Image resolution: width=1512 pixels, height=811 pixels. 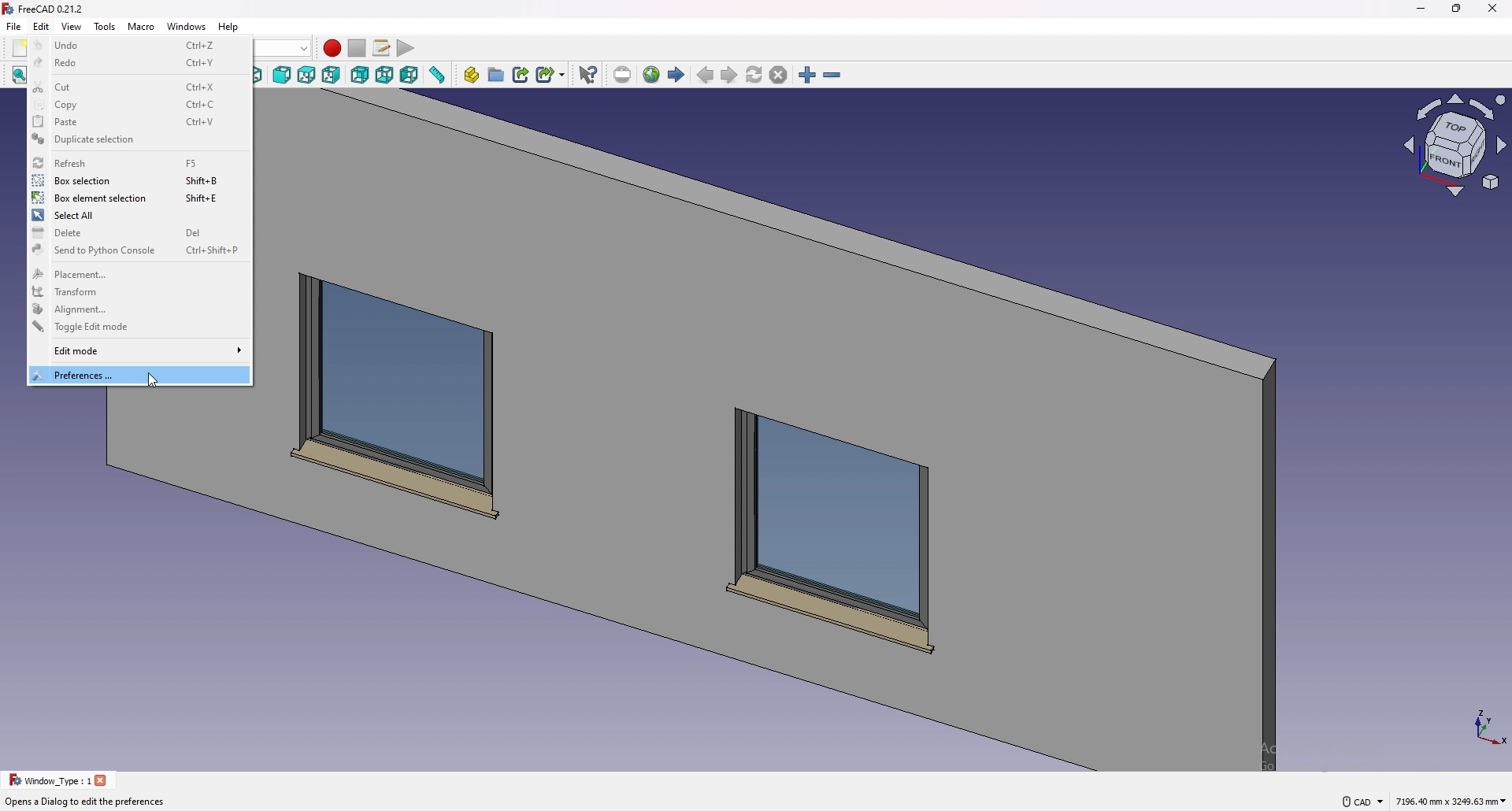 What do you see at coordinates (588, 74) in the screenshot?
I see `what's this?` at bounding box center [588, 74].